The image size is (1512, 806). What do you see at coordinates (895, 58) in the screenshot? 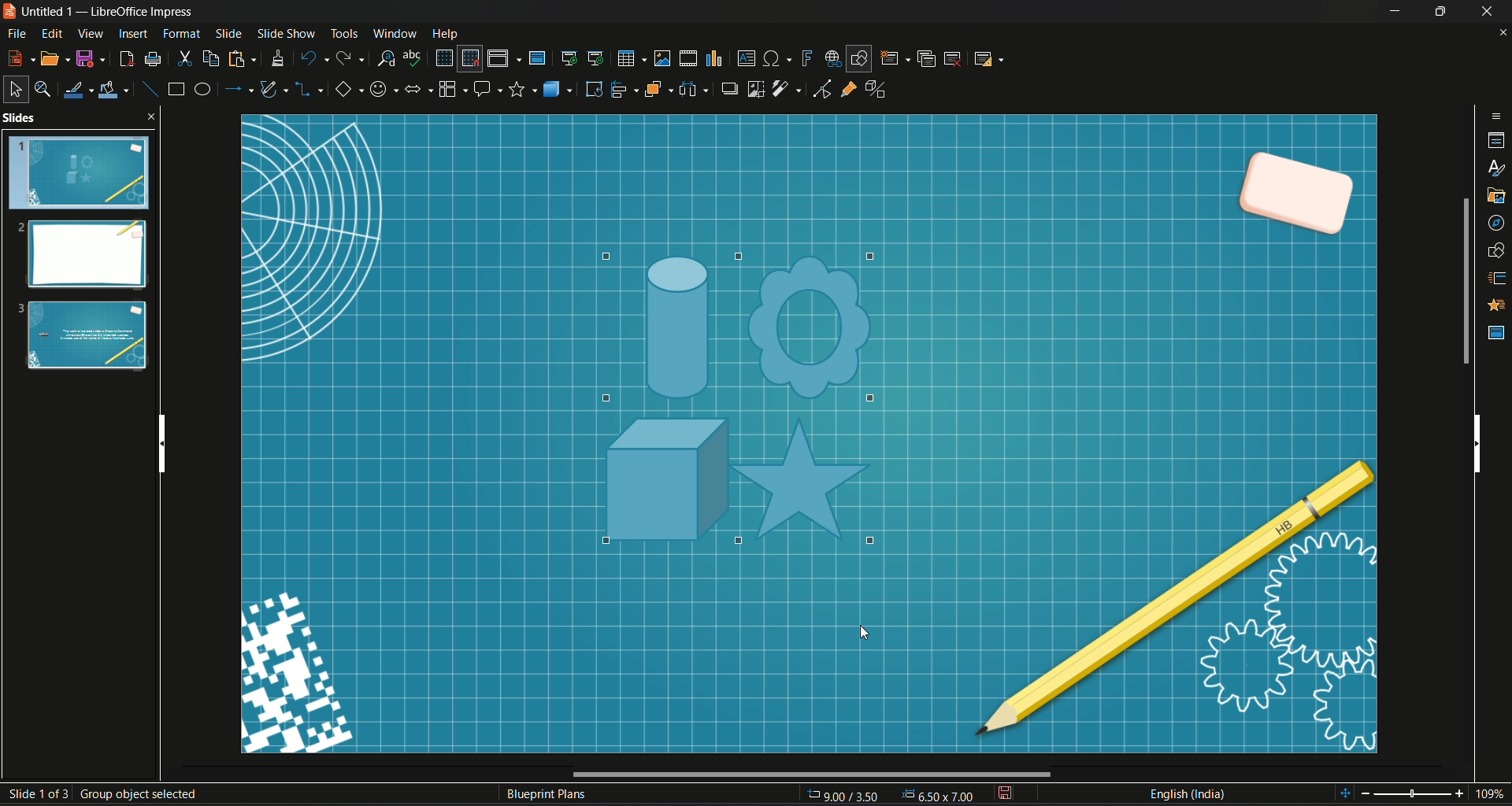
I see `new slide` at bounding box center [895, 58].